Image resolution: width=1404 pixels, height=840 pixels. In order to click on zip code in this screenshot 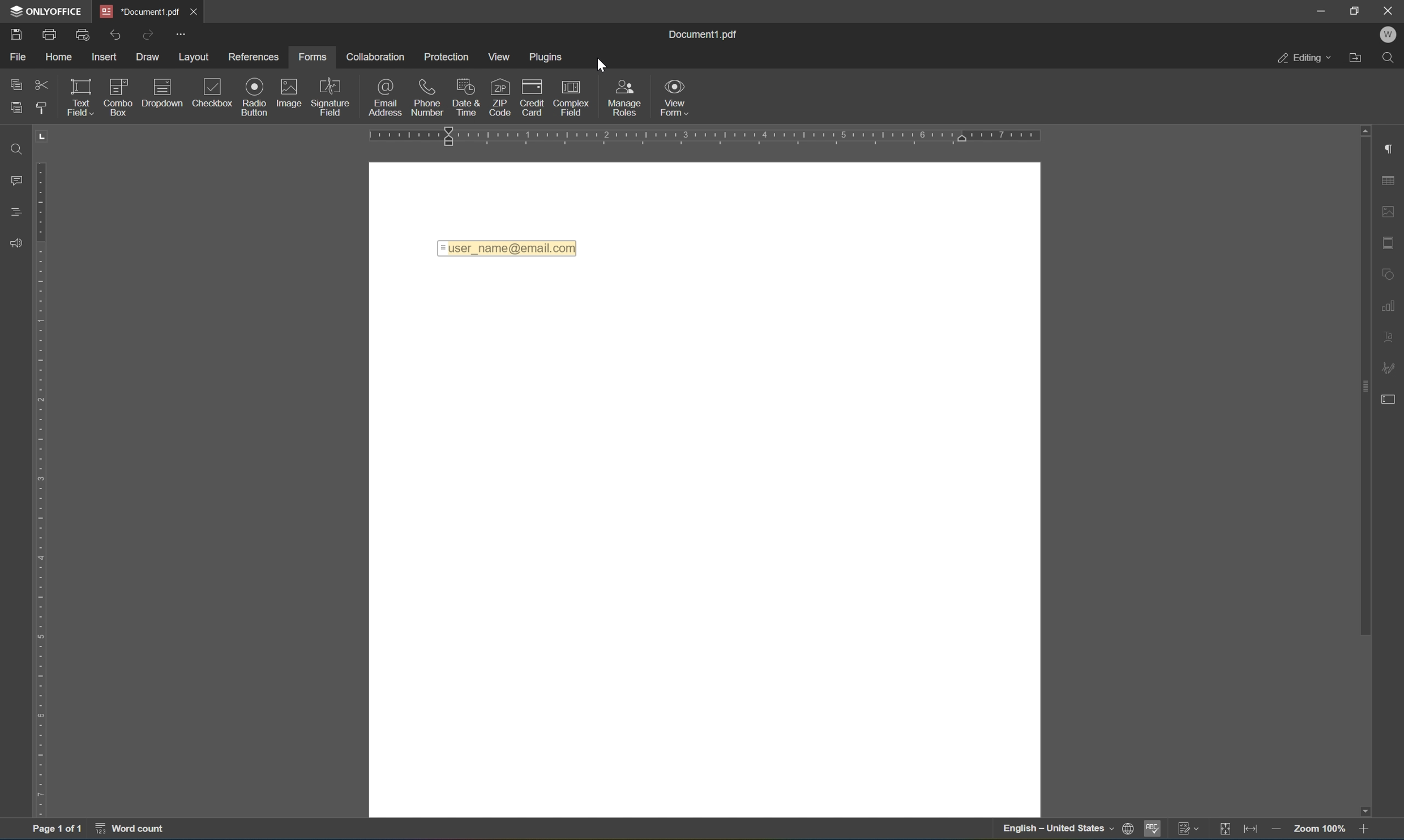, I will do `click(499, 87)`.